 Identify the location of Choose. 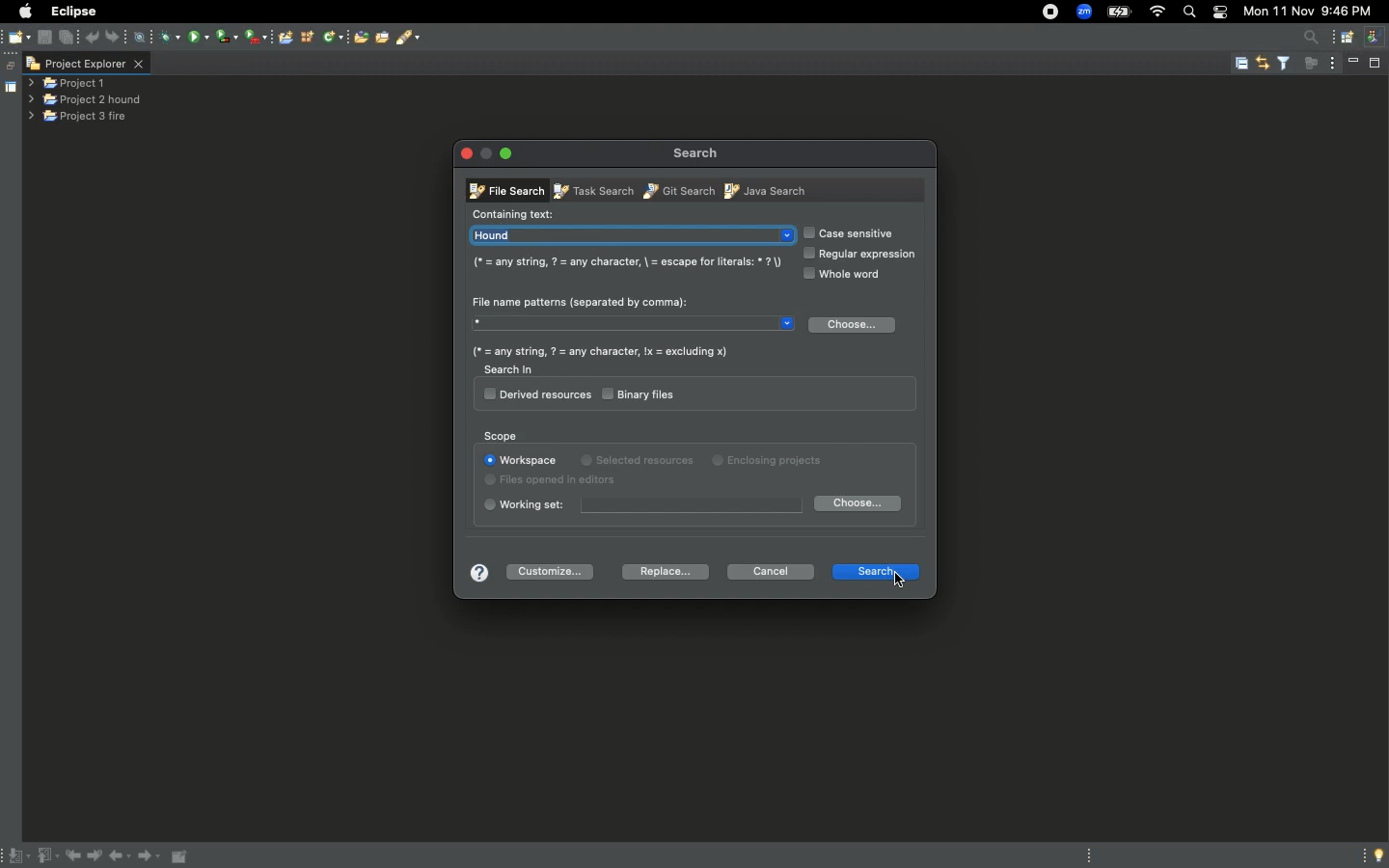
(854, 326).